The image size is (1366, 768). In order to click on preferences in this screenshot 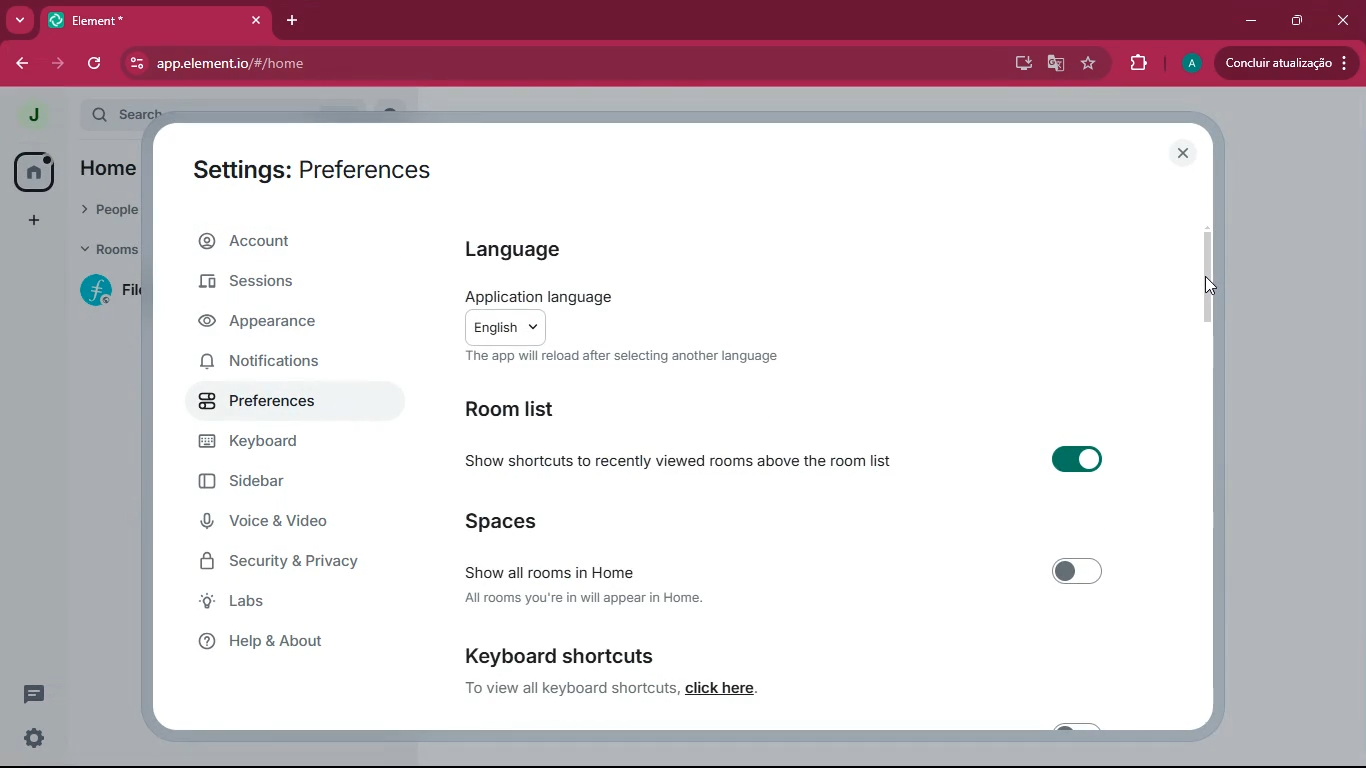, I will do `click(273, 409)`.